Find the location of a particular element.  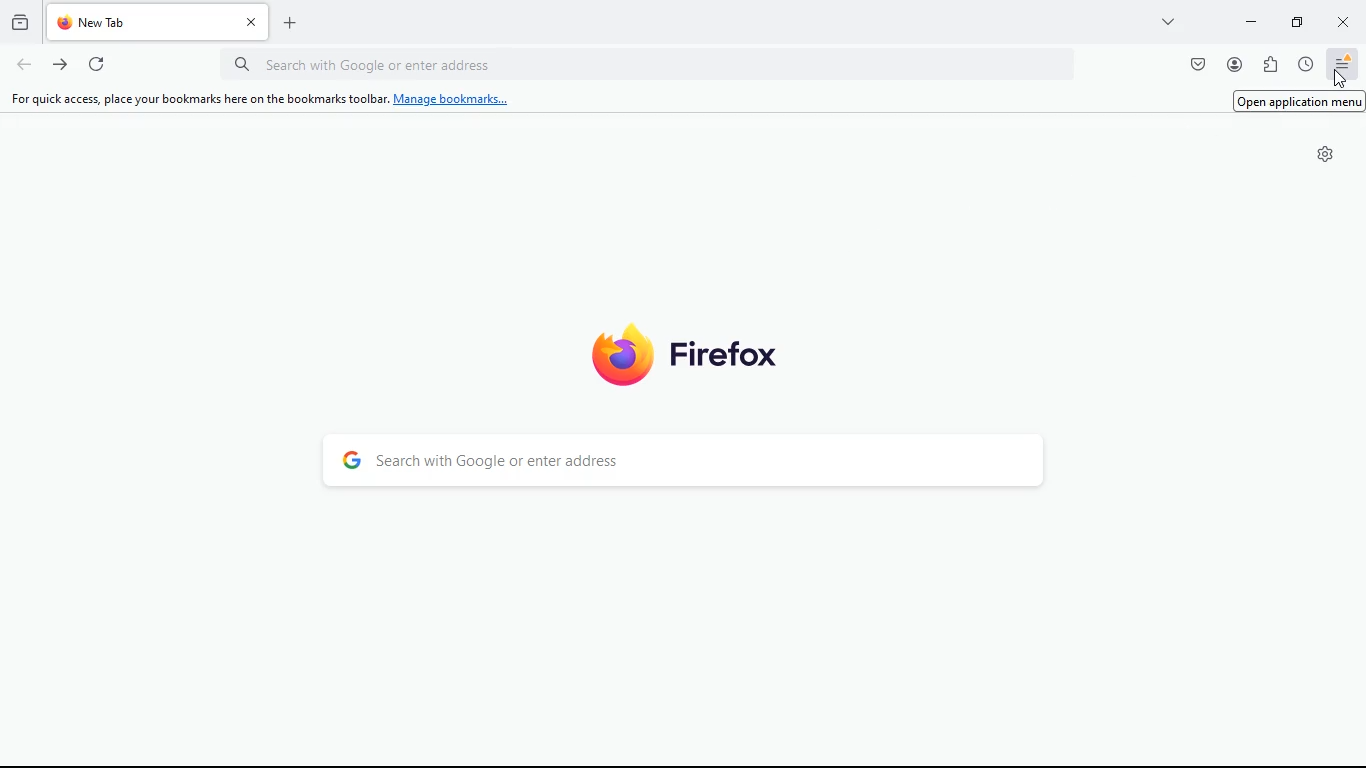

profile is located at coordinates (1234, 64).